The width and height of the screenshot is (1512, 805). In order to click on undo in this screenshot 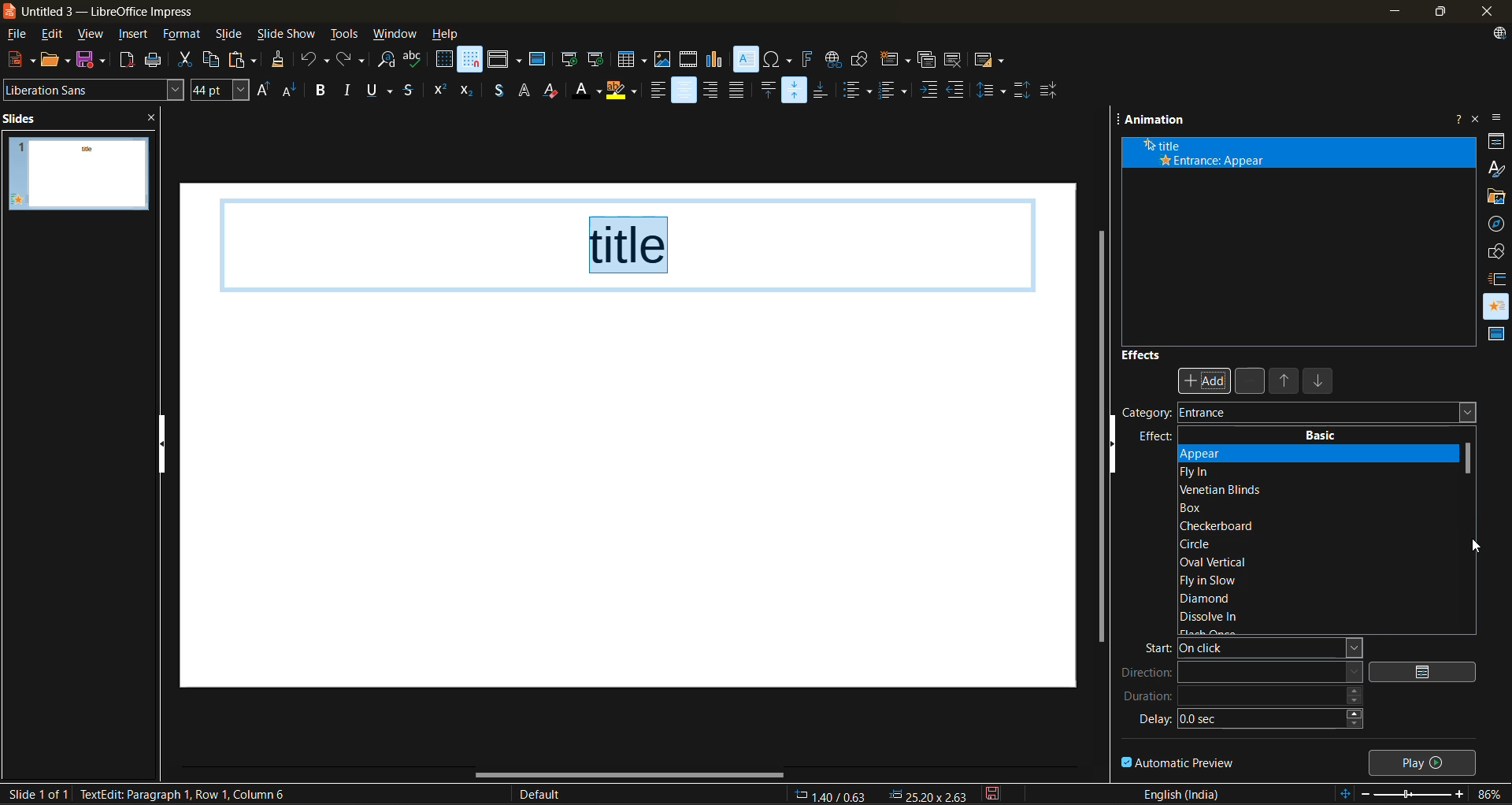, I will do `click(313, 61)`.